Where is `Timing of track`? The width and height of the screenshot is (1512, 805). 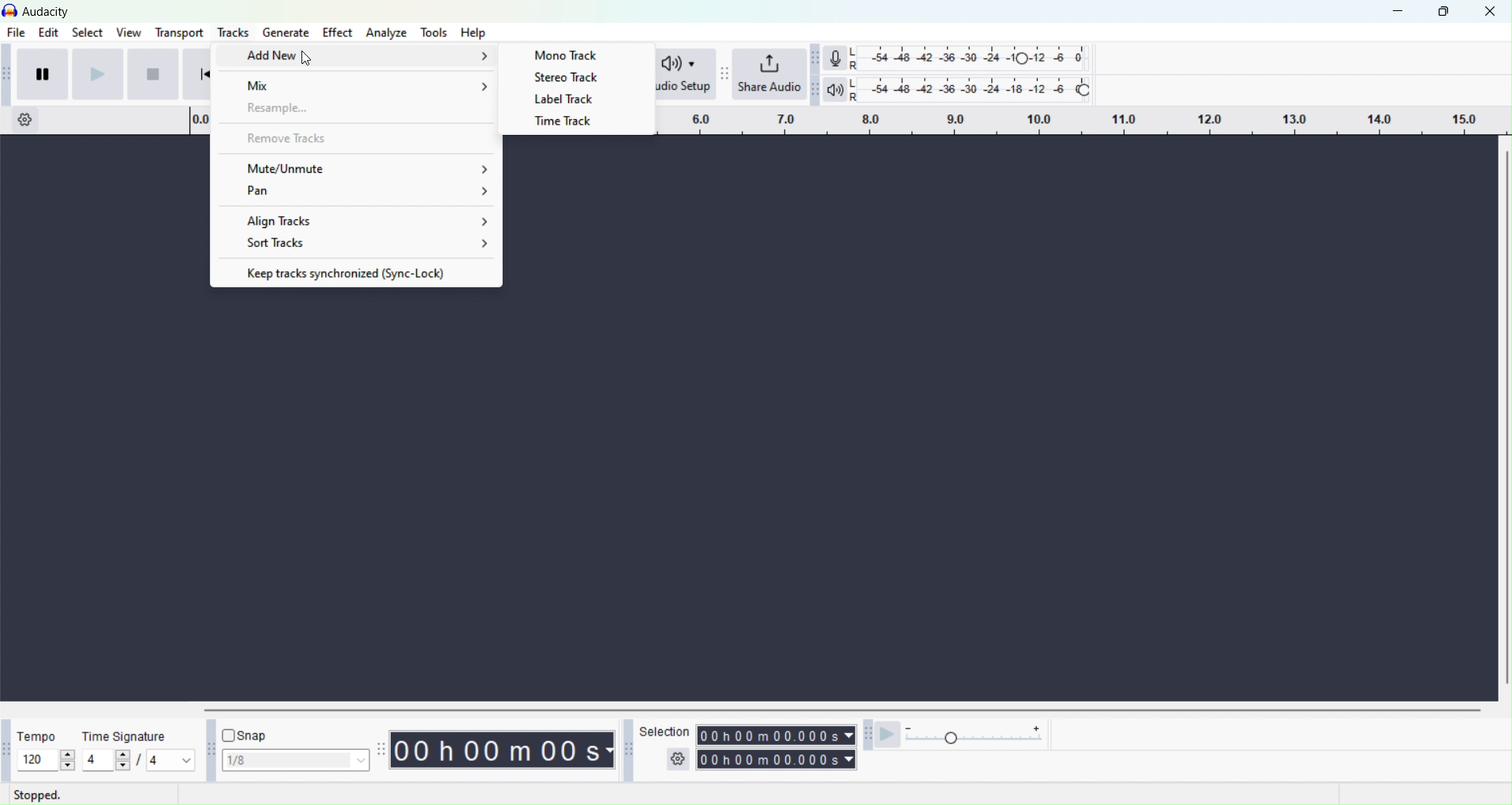 Timing of track is located at coordinates (503, 750).